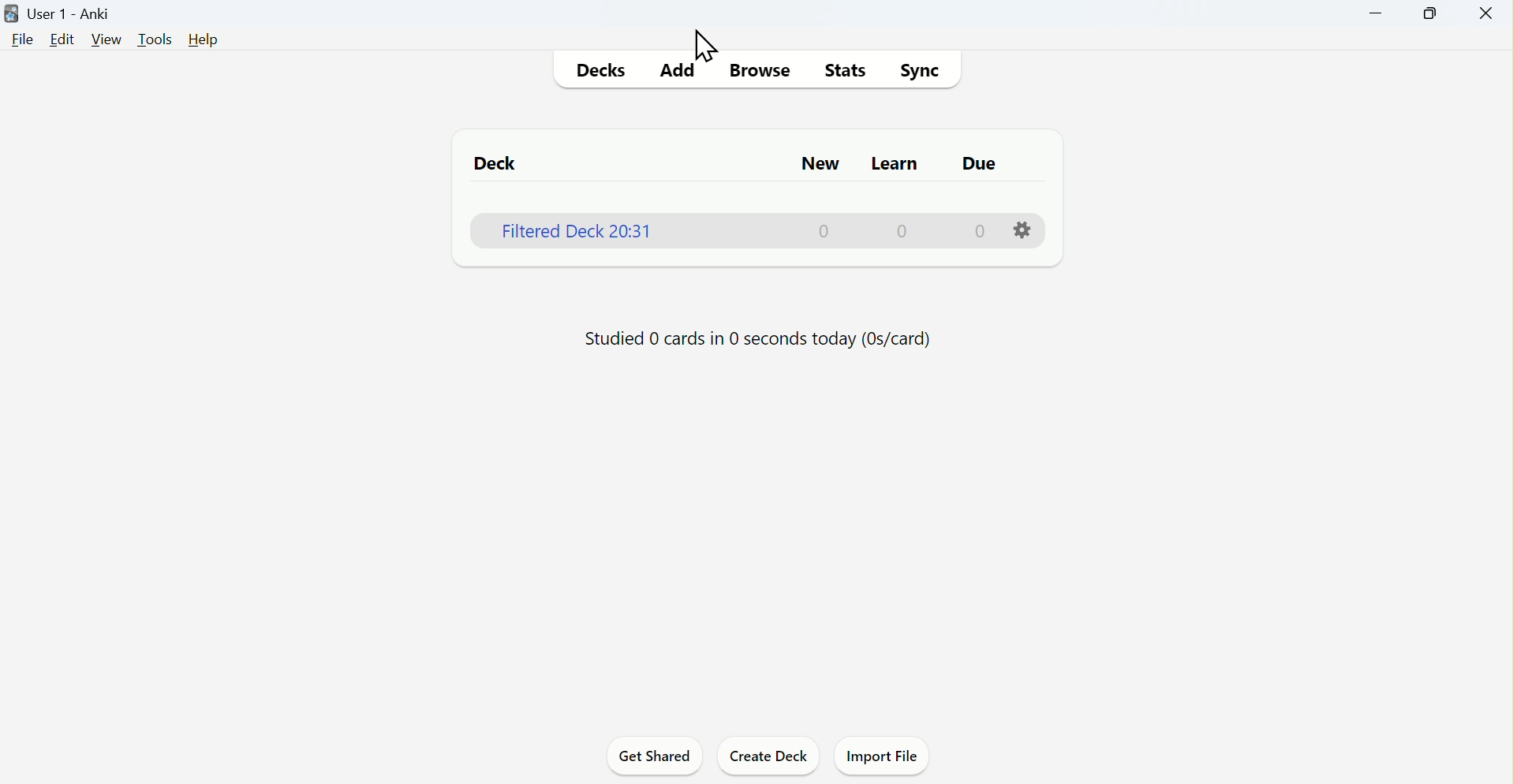 Image resolution: width=1513 pixels, height=784 pixels. Describe the element at coordinates (827, 165) in the screenshot. I see `New` at that location.